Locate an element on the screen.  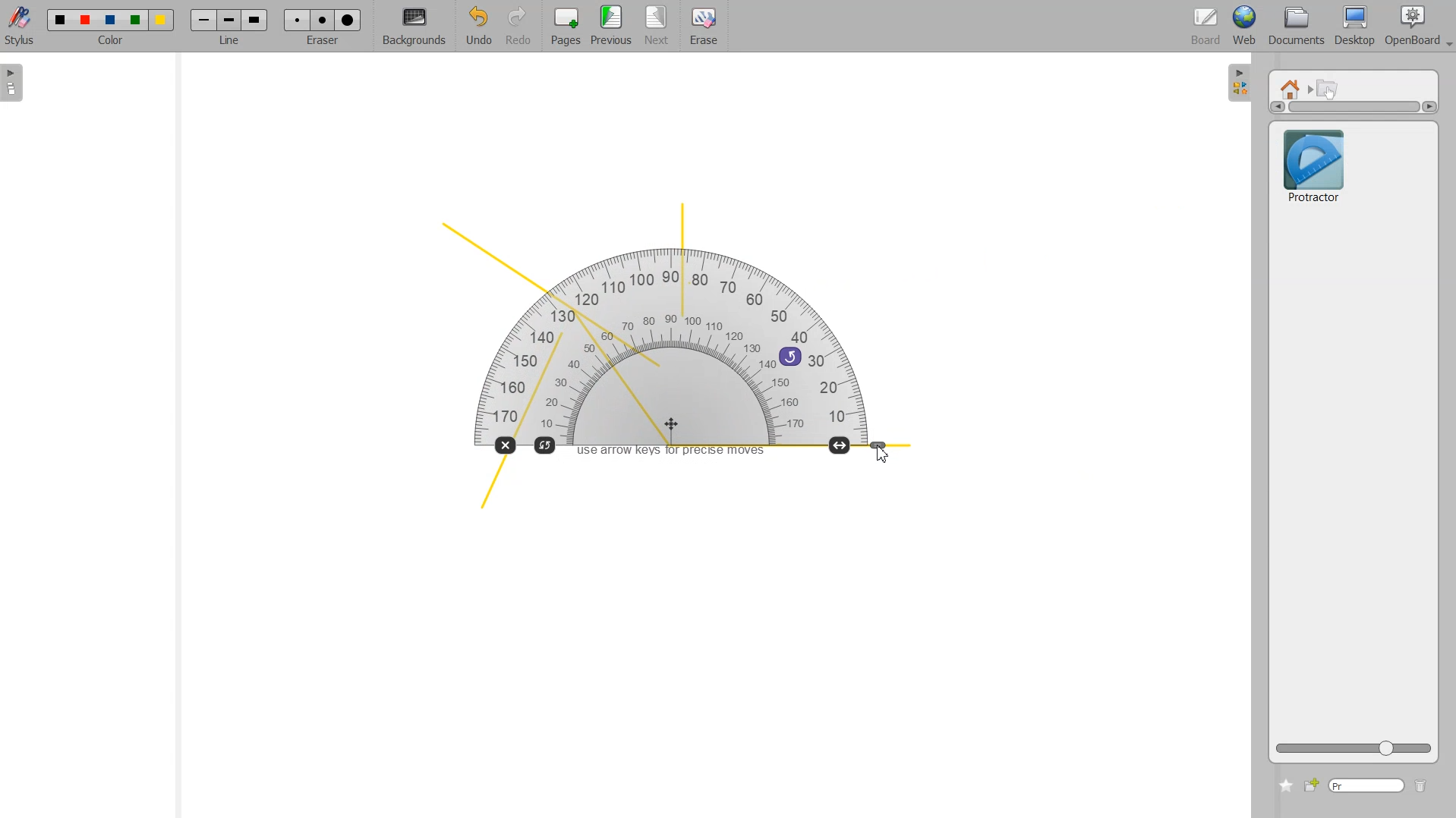
Protractor is located at coordinates (674, 344).